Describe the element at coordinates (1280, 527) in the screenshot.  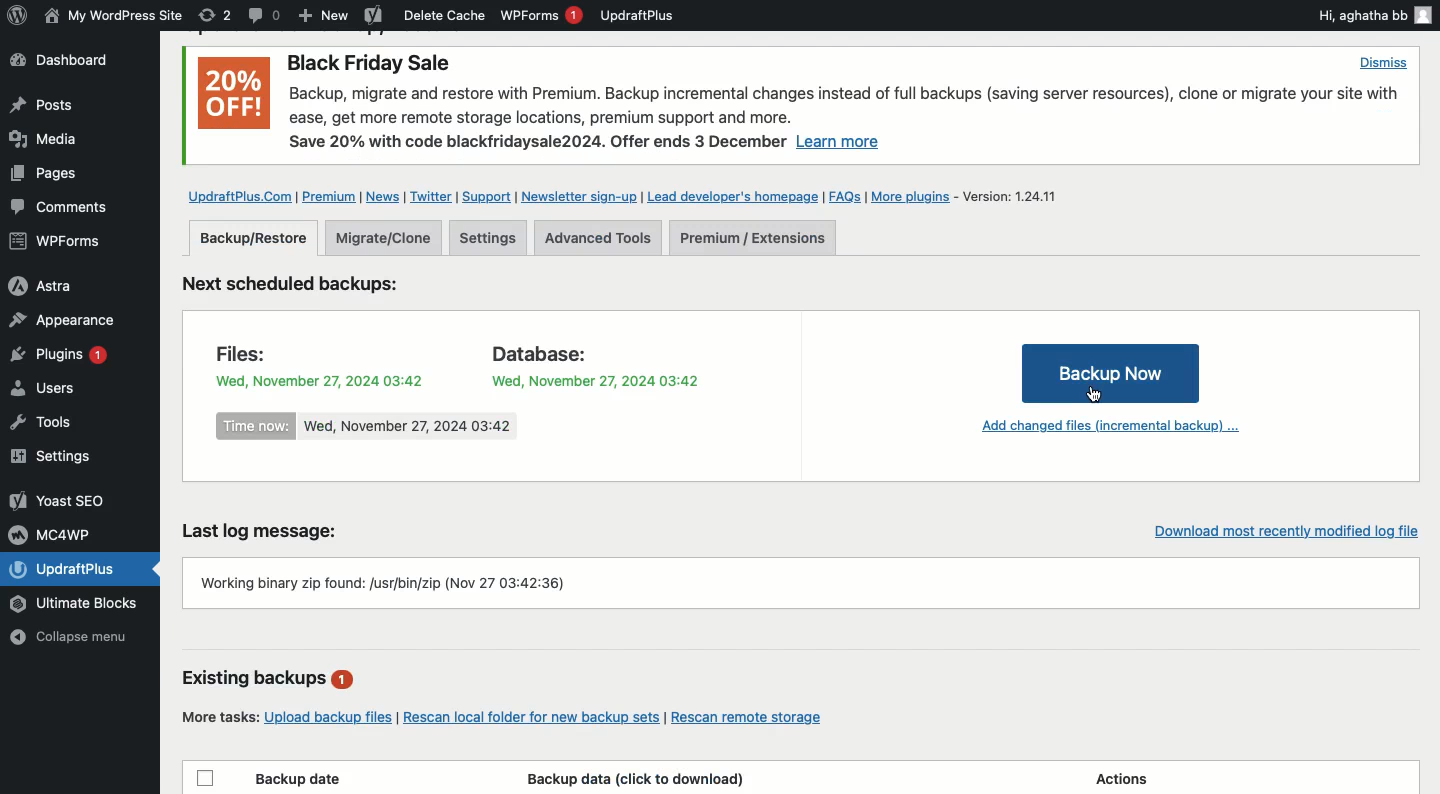
I see `Download most recently modified log file` at that location.